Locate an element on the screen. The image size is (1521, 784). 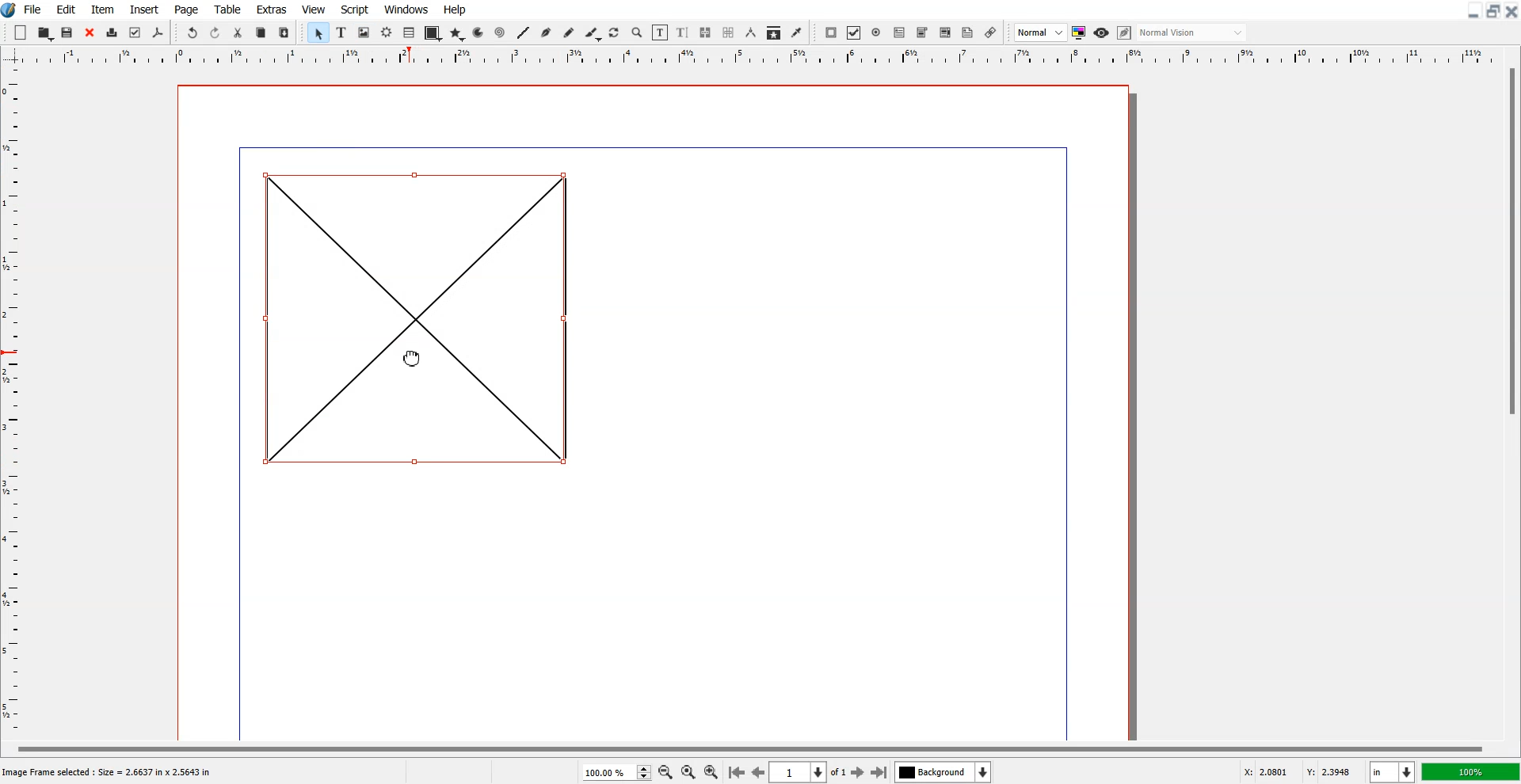
Select Image Preview Quality is located at coordinates (1040, 32).